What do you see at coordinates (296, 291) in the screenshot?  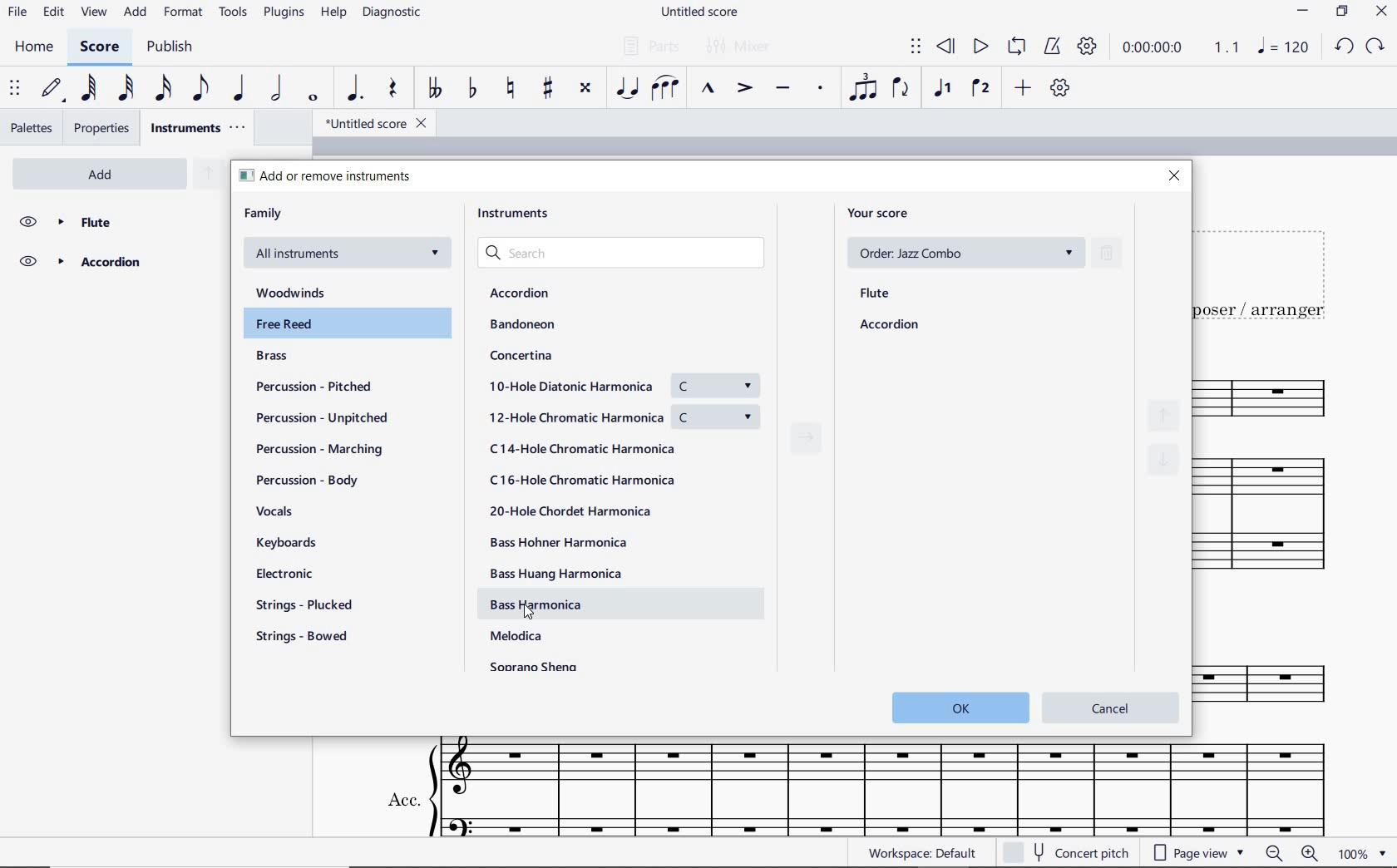 I see `woodwinds` at bounding box center [296, 291].